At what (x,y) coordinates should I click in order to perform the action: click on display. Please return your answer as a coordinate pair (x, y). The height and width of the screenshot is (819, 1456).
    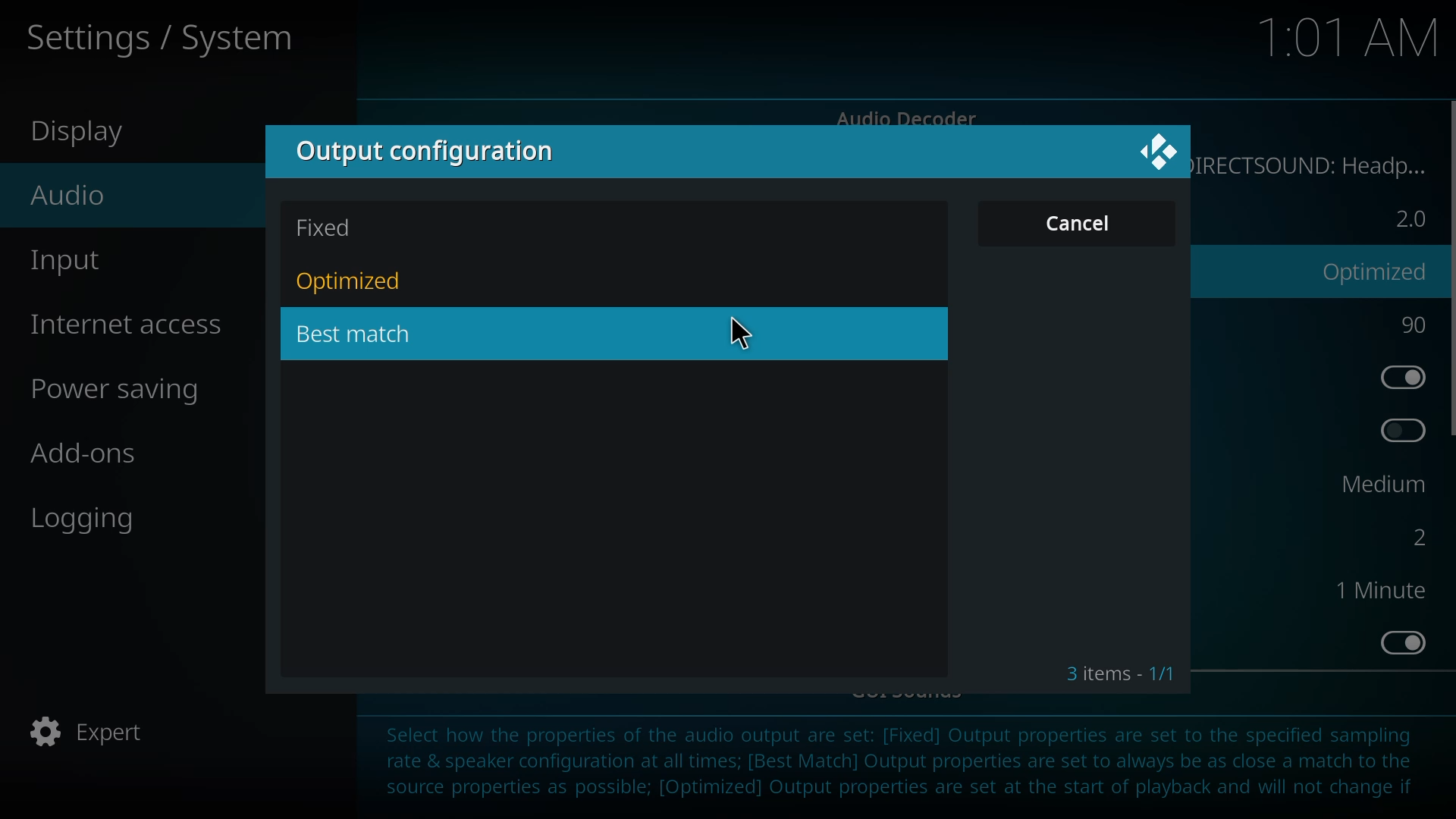
    Looking at the image, I should click on (77, 132).